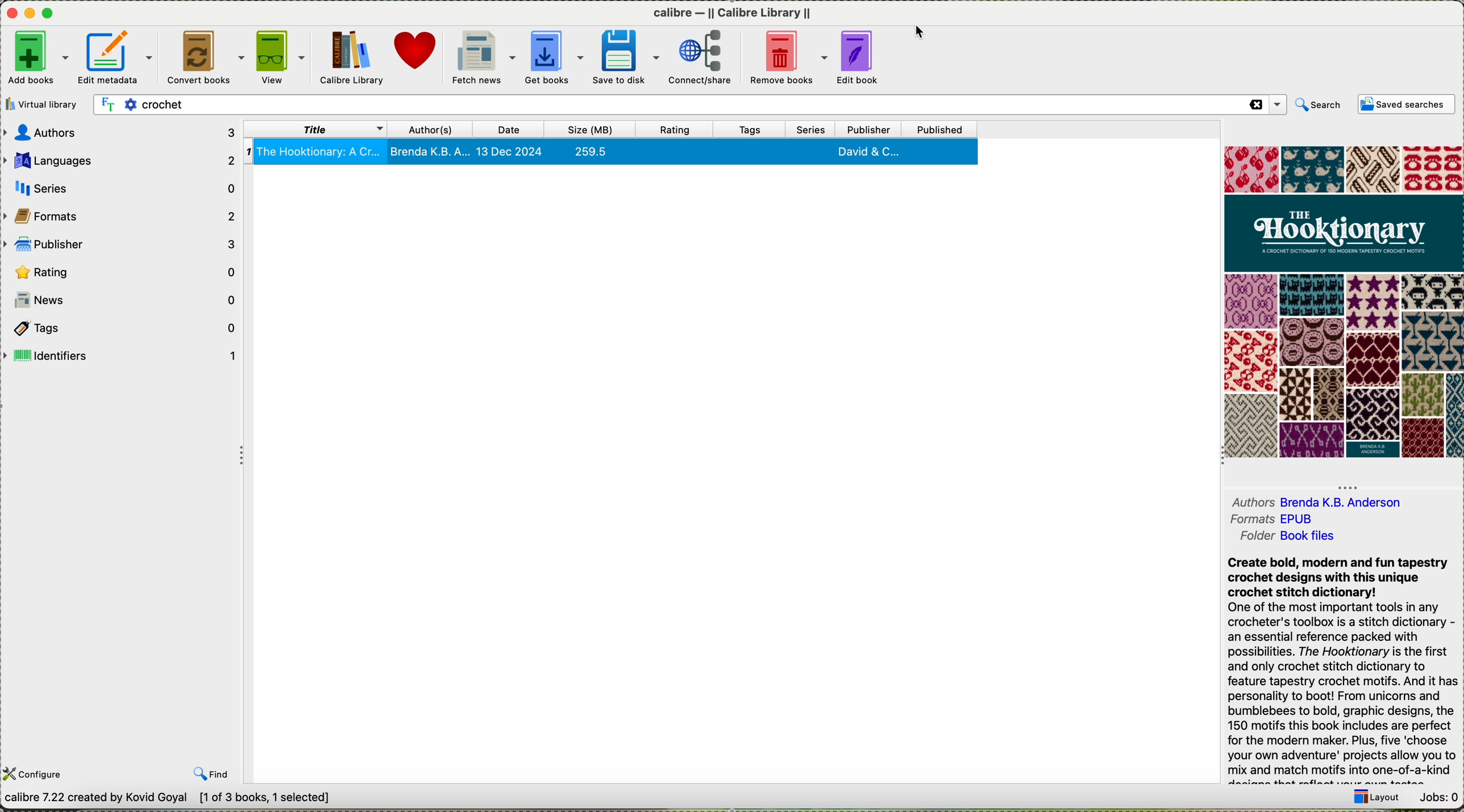 The width and height of the screenshot is (1464, 812). I want to click on collapse, so click(1220, 459).